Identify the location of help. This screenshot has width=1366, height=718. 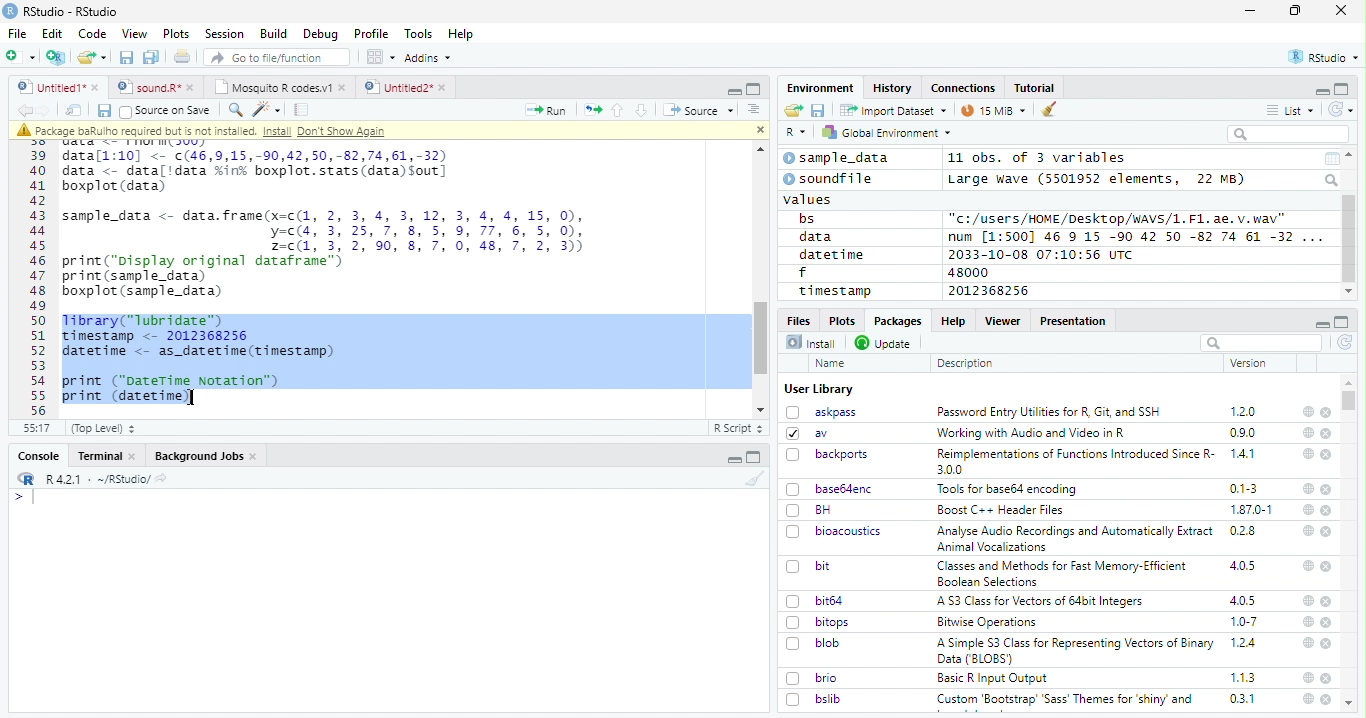
(1308, 489).